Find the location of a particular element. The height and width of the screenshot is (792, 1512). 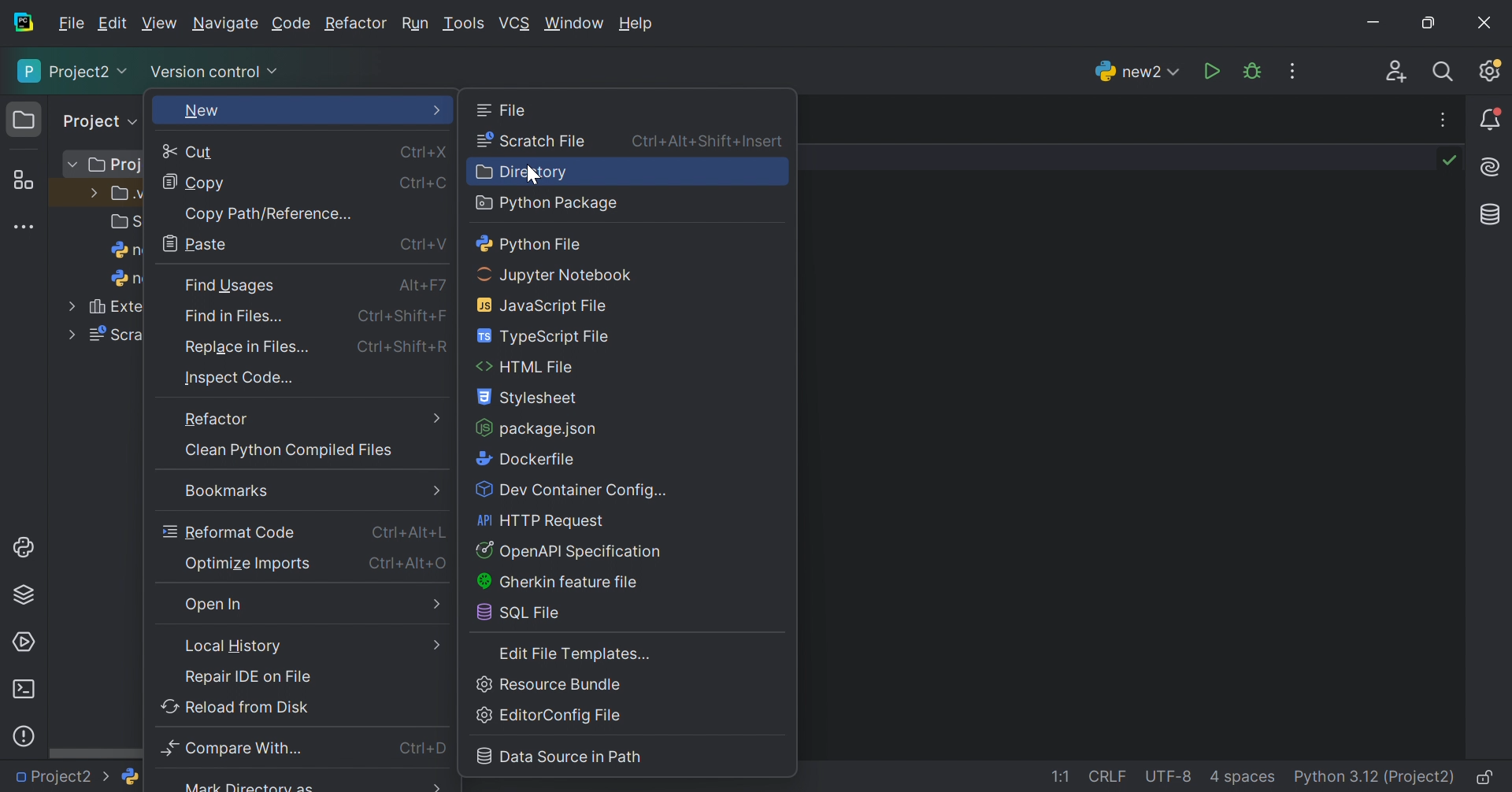

Help is located at coordinates (633, 21).